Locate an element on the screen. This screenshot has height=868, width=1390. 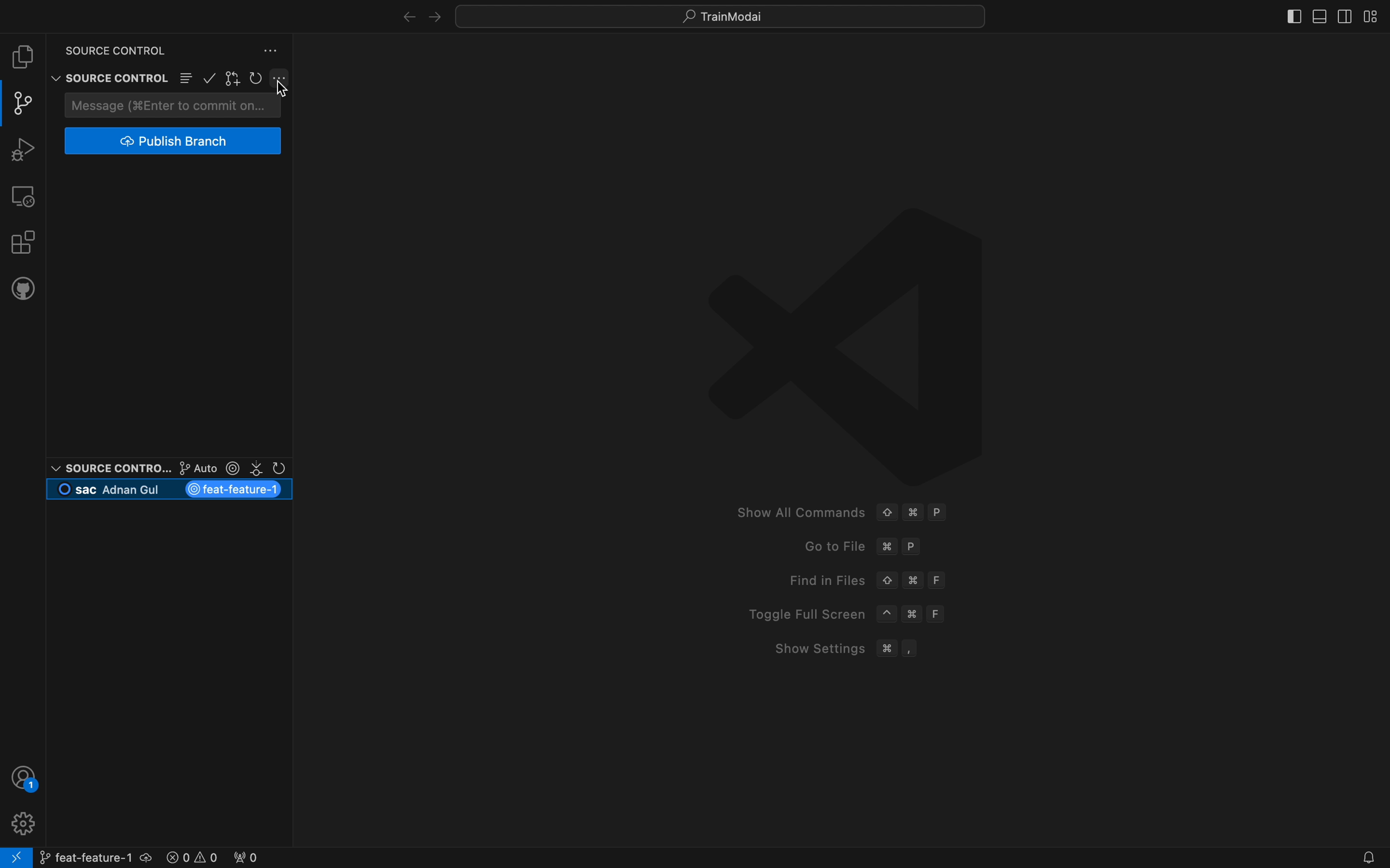
Cursor is located at coordinates (282, 92).